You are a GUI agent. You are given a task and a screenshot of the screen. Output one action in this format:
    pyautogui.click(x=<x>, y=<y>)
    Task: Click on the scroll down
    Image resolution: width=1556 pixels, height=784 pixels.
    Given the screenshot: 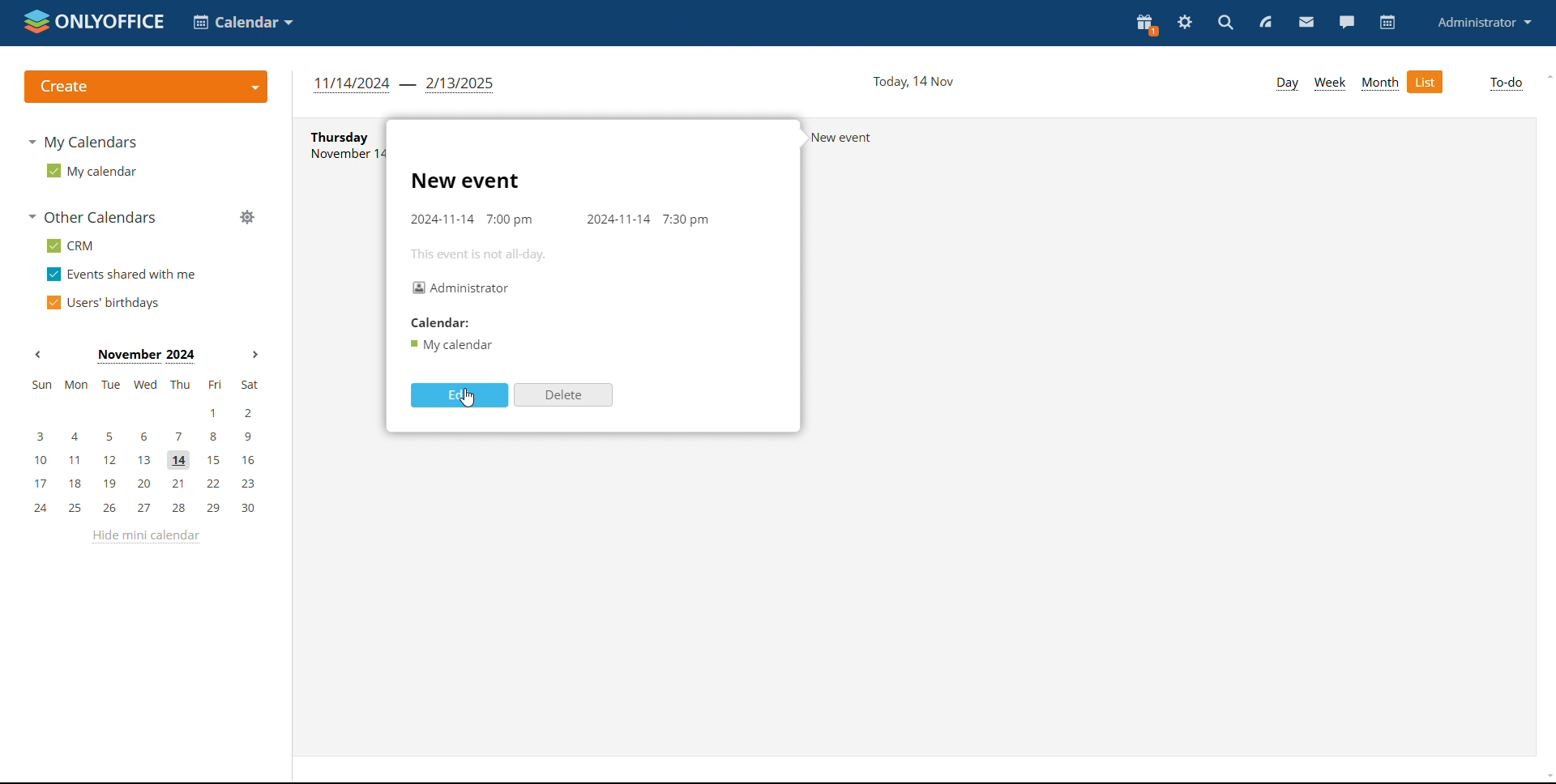 What is the action you would take?
    pyautogui.click(x=1546, y=777)
    